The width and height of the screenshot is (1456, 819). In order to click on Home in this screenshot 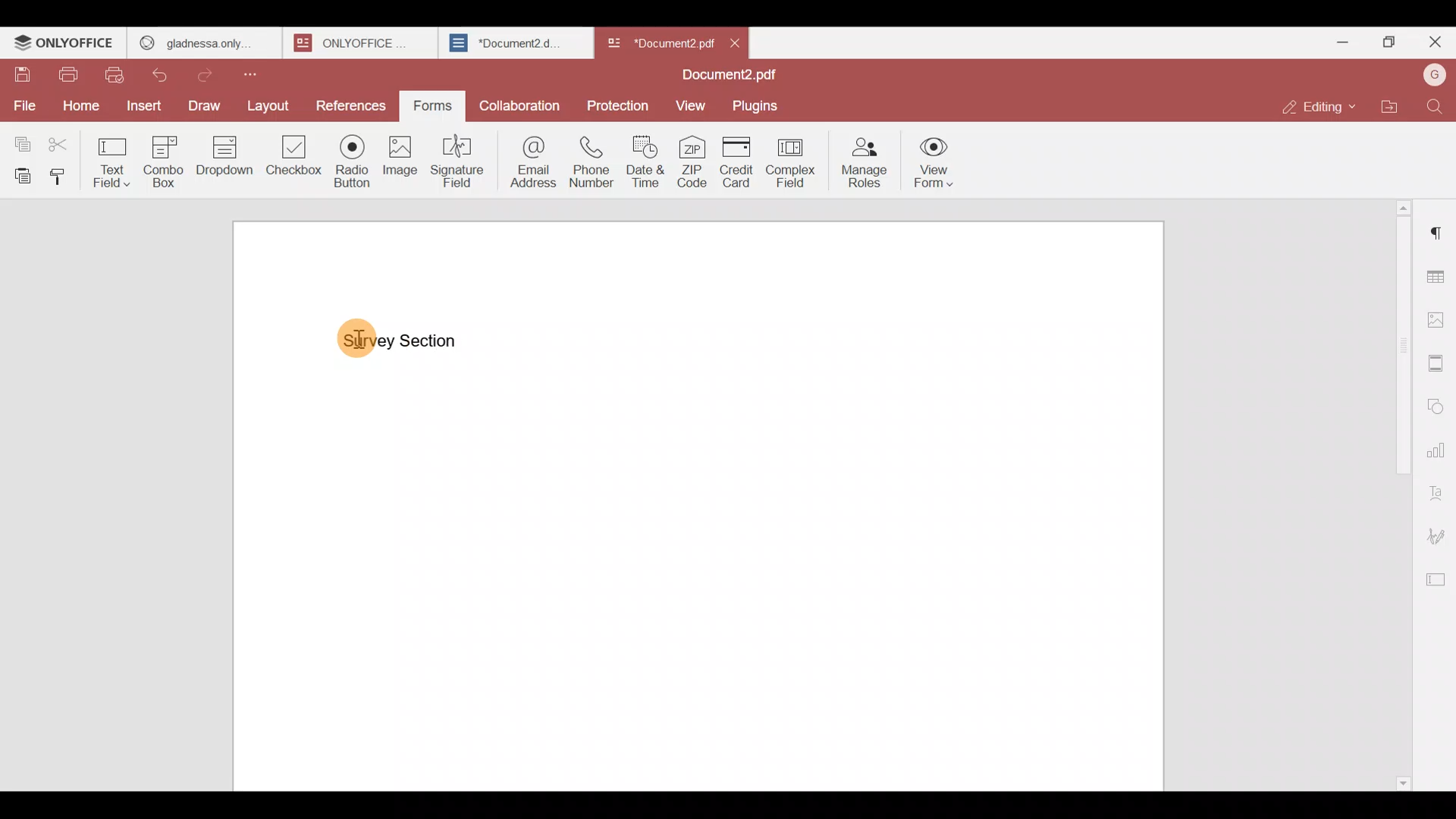, I will do `click(79, 104)`.